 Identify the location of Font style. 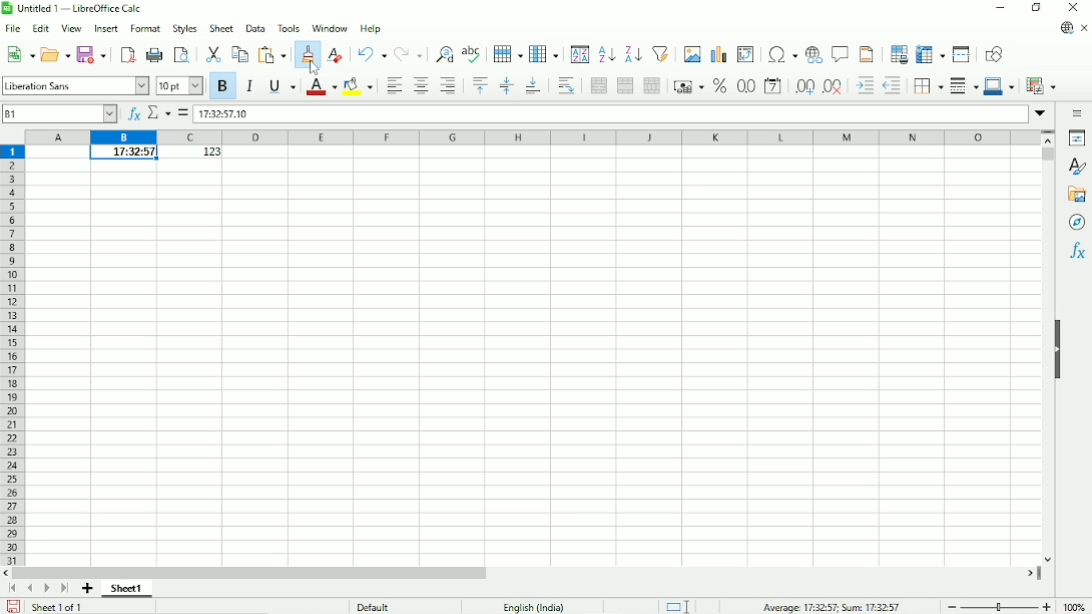
(76, 85).